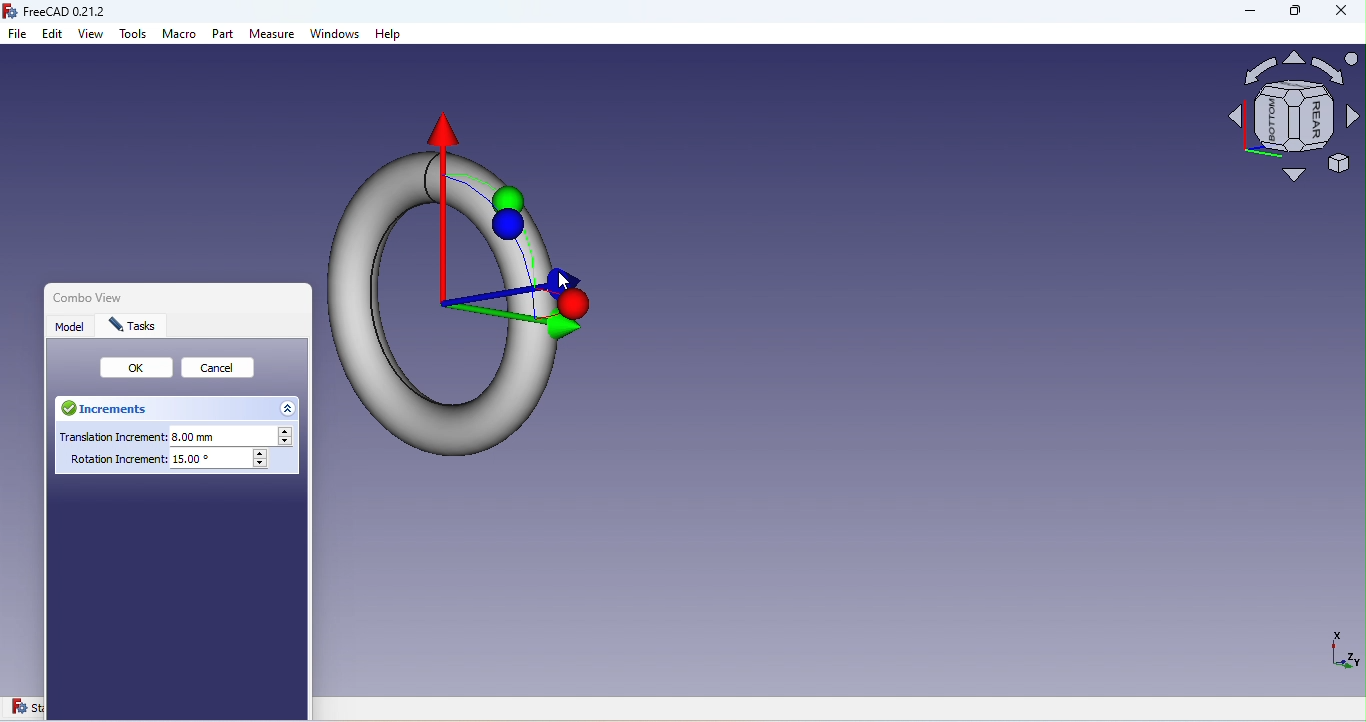 This screenshot has width=1366, height=722. What do you see at coordinates (53, 35) in the screenshot?
I see `Edit` at bounding box center [53, 35].